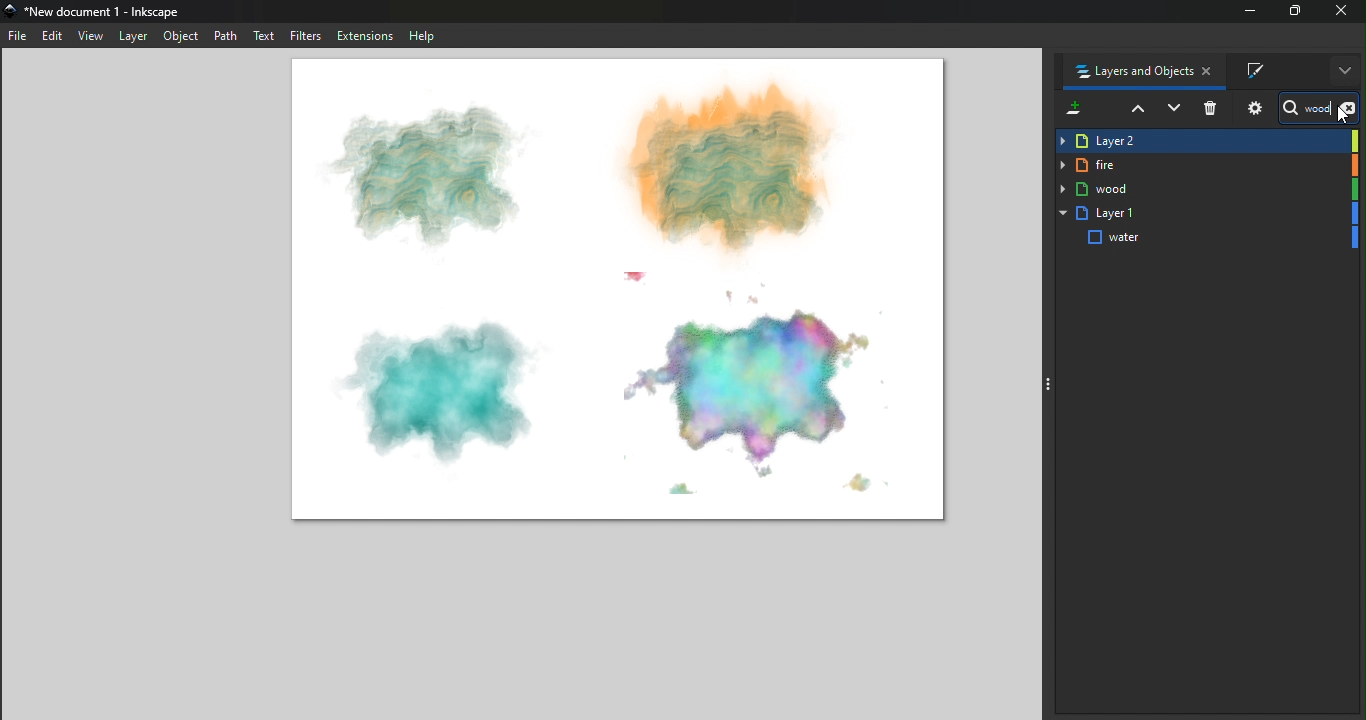 The width and height of the screenshot is (1366, 720). Describe the element at coordinates (1294, 10) in the screenshot. I see `Maximize` at that location.